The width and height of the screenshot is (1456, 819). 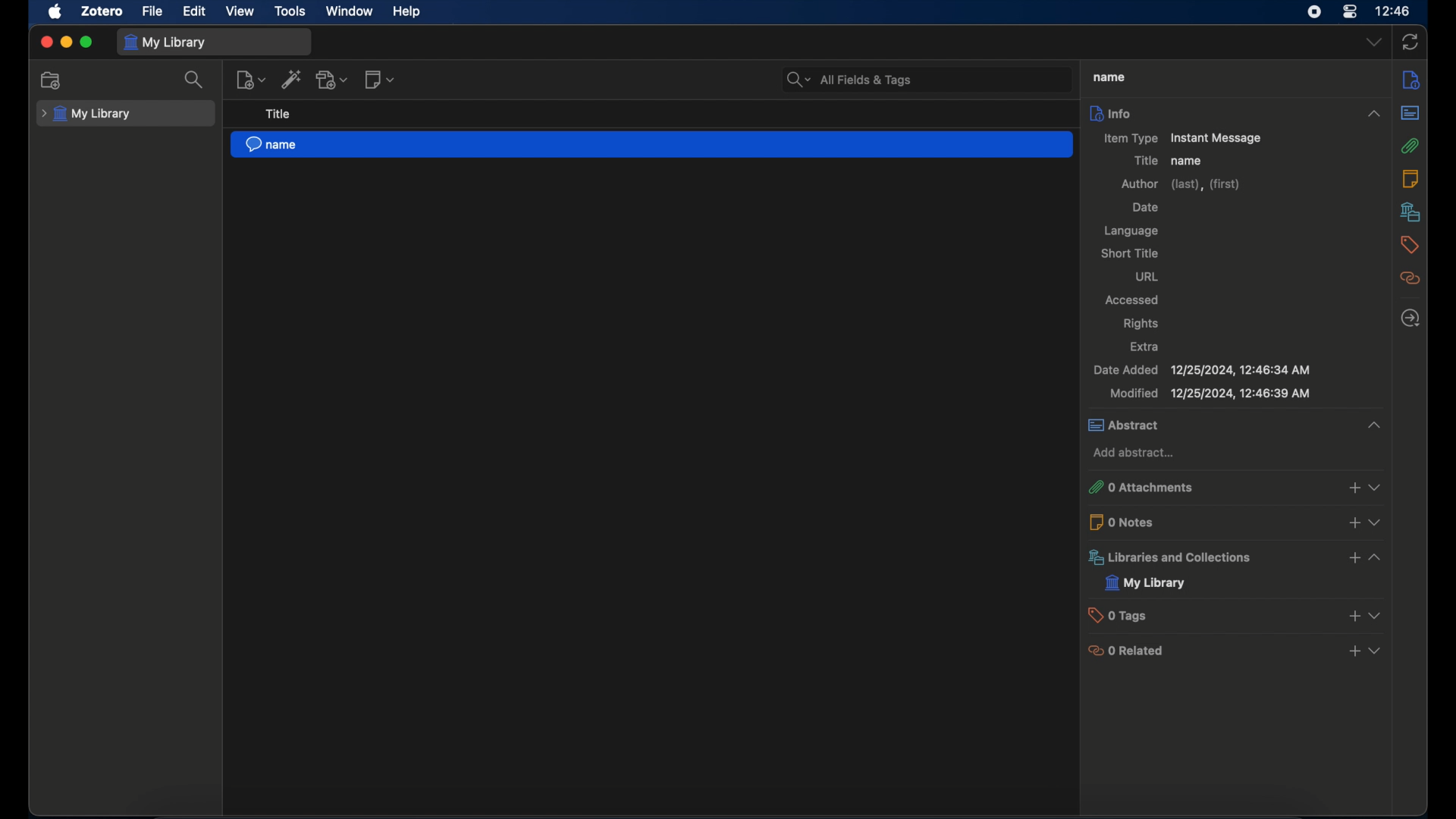 What do you see at coordinates (1210, 394) in the screenshot?
I see `modified` at bounding box center [1210, 394].